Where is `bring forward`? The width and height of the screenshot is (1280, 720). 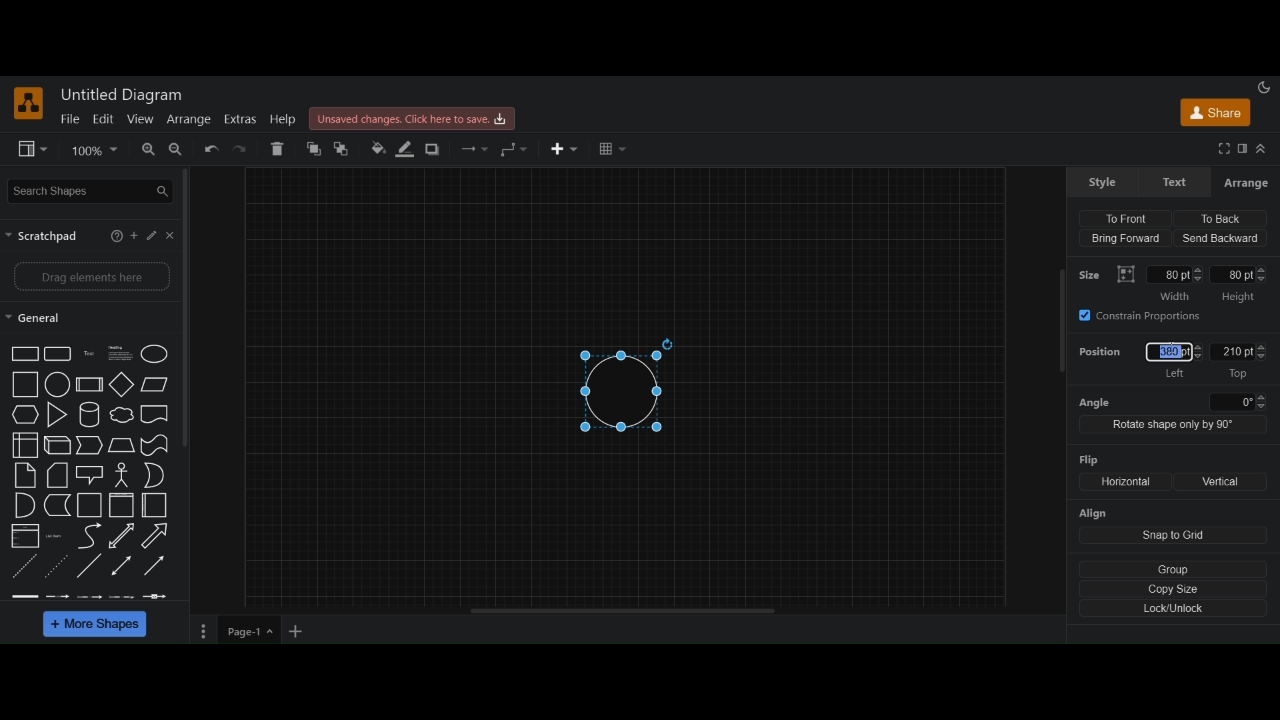
bring forward is located at coordinates (1124, 240).